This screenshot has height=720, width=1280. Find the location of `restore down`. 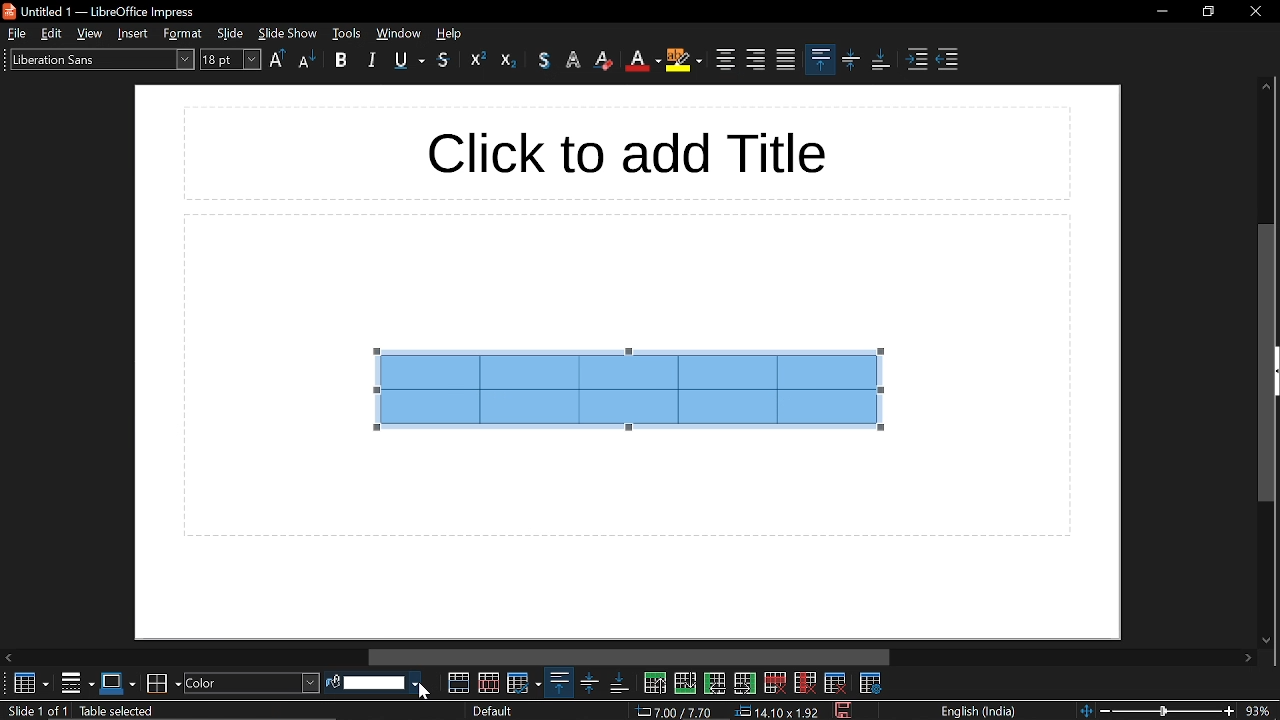

restore down is located at coordinates (1205, 14).